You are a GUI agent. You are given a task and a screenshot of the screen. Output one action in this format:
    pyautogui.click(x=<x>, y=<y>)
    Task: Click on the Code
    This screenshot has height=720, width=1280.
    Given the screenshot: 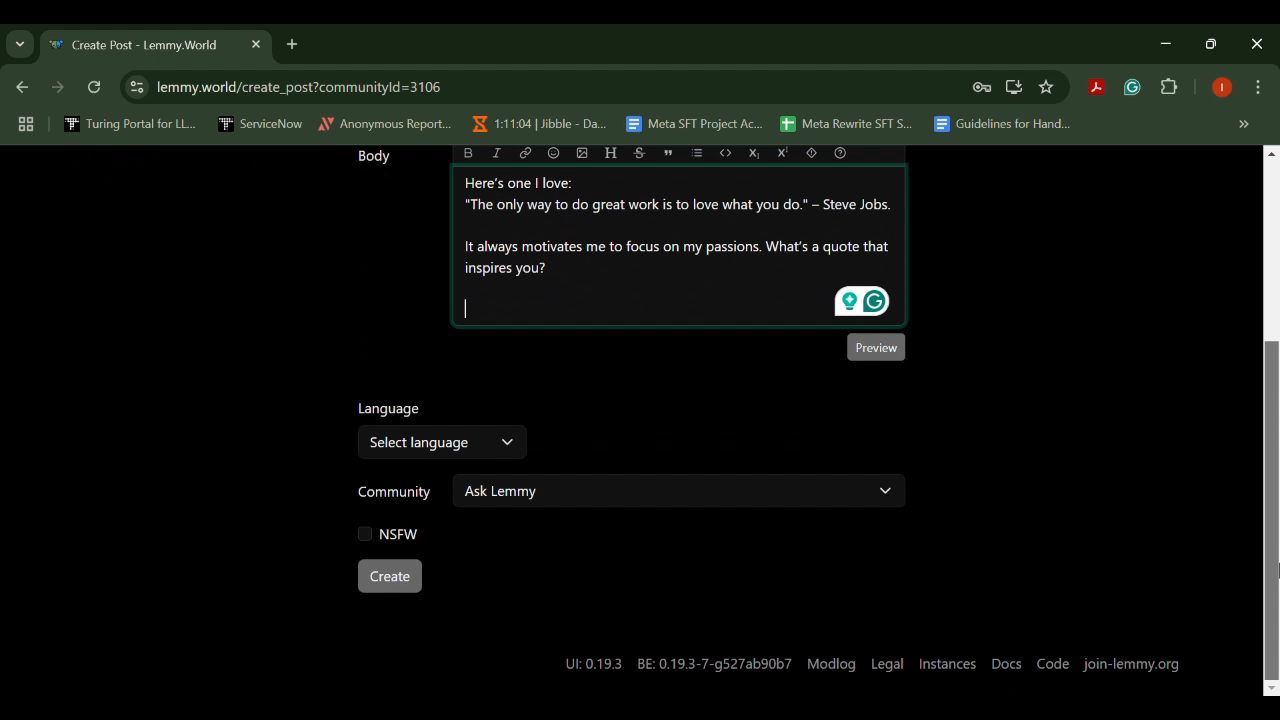 What is the action you would take?
    pyautogui.click(x=1054, y=665)
    